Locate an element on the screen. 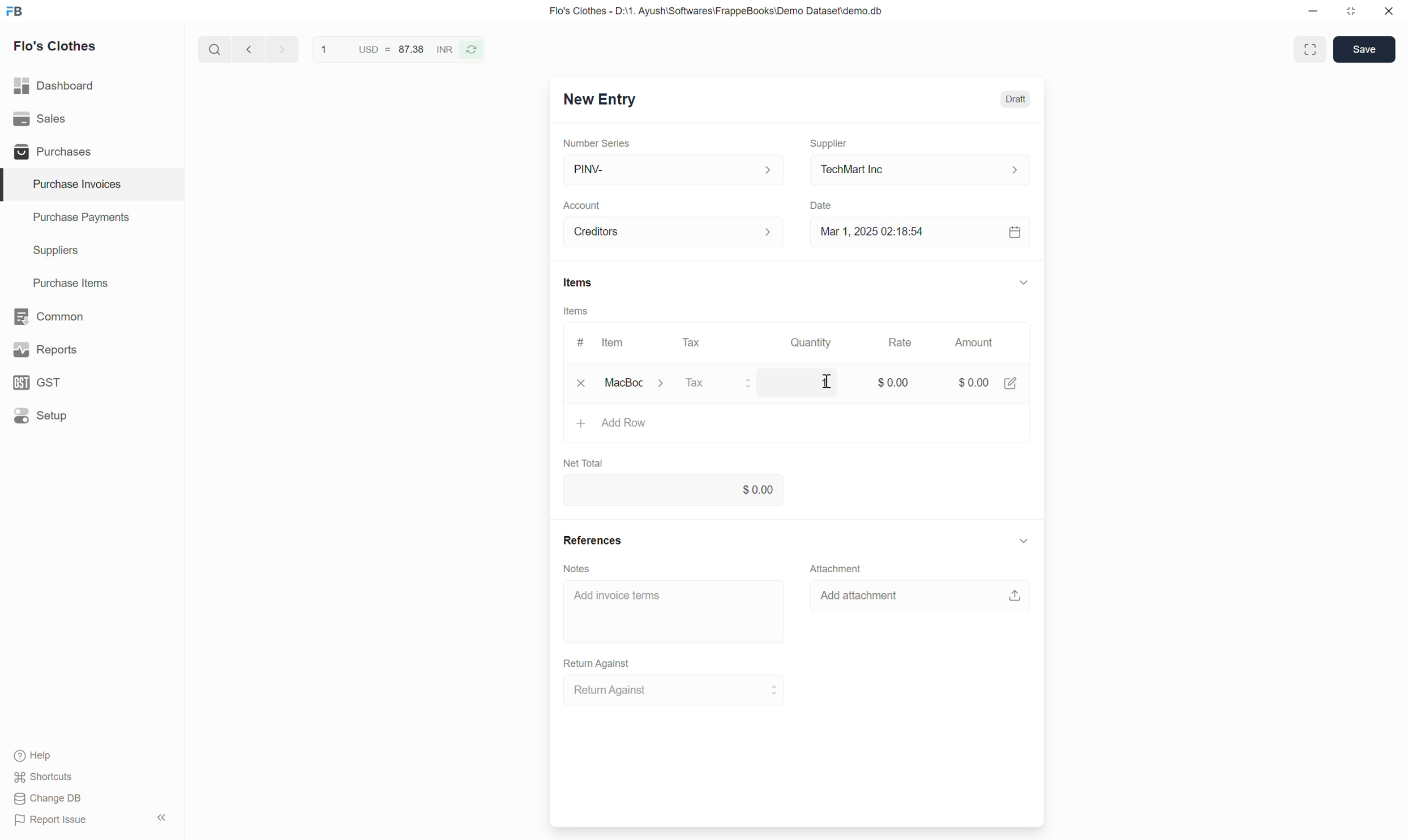 This screenshot has height=840, width=1408. 0.00 is located at coordinates (674, 489).